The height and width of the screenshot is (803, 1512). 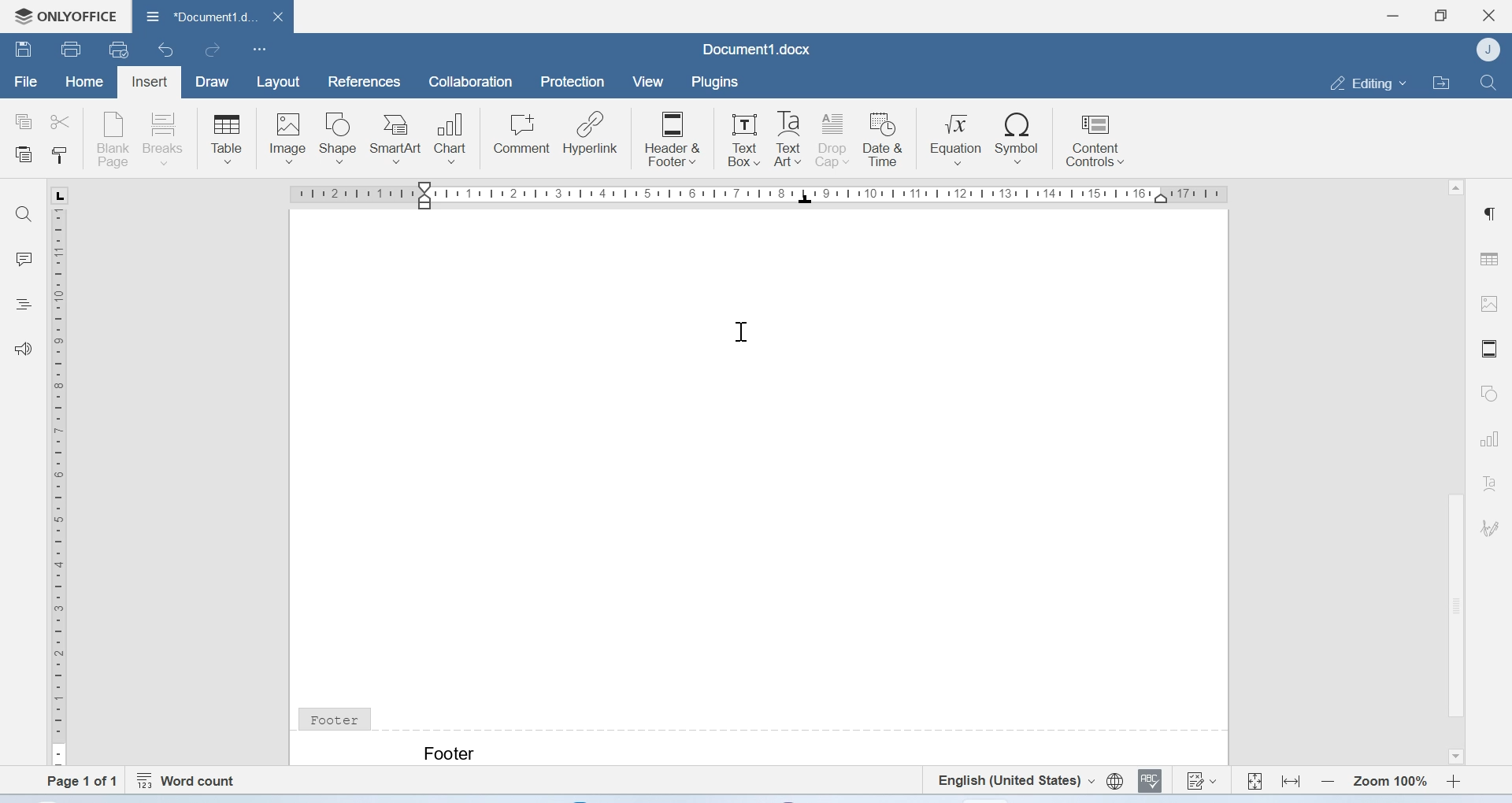 What do you see at coordinates (24, 348) in the screenshot?
I see `Feedback and support` at bounding box center [24, 348].